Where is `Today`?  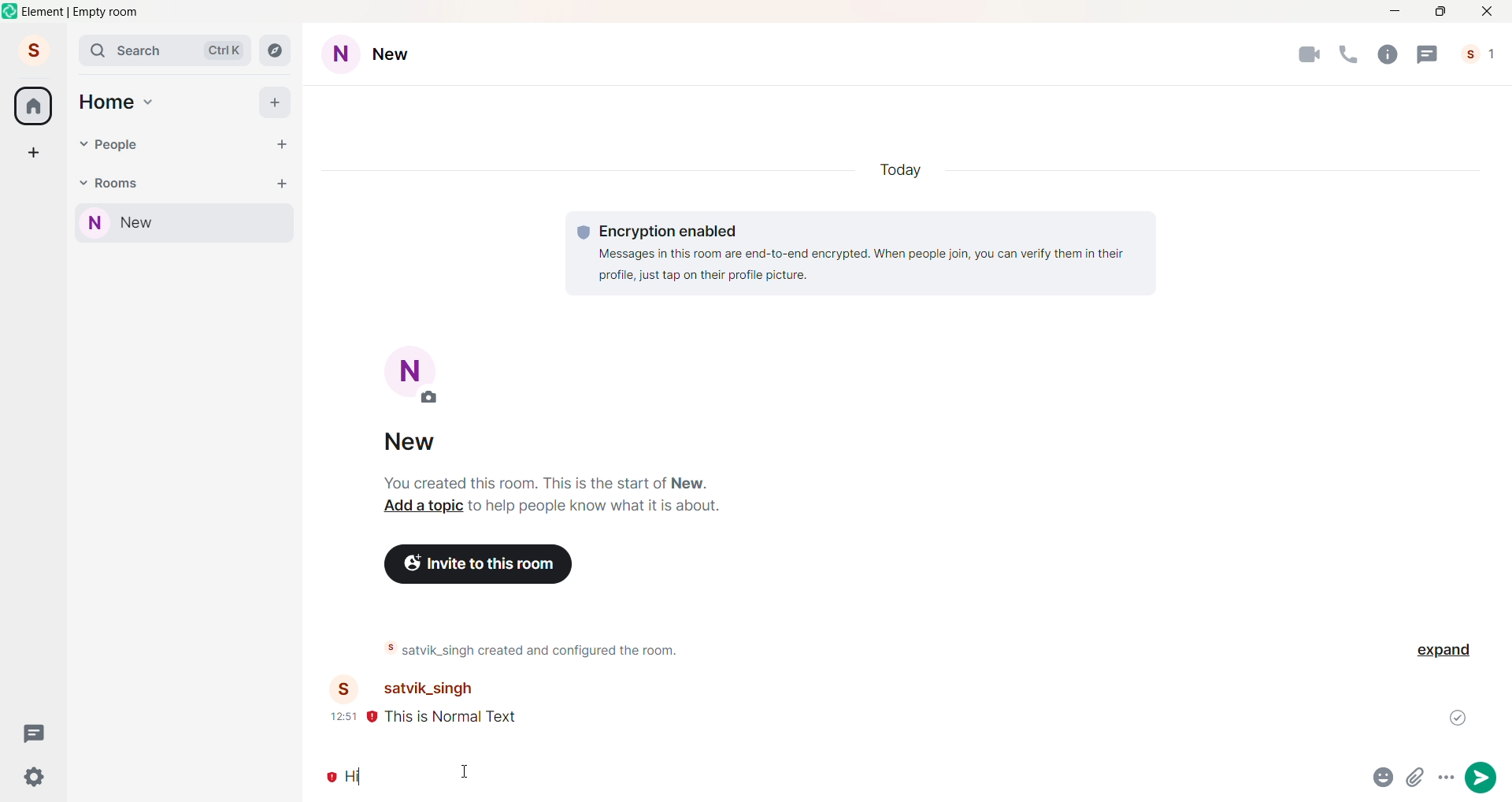 Today is located at coordinates (908, 171).